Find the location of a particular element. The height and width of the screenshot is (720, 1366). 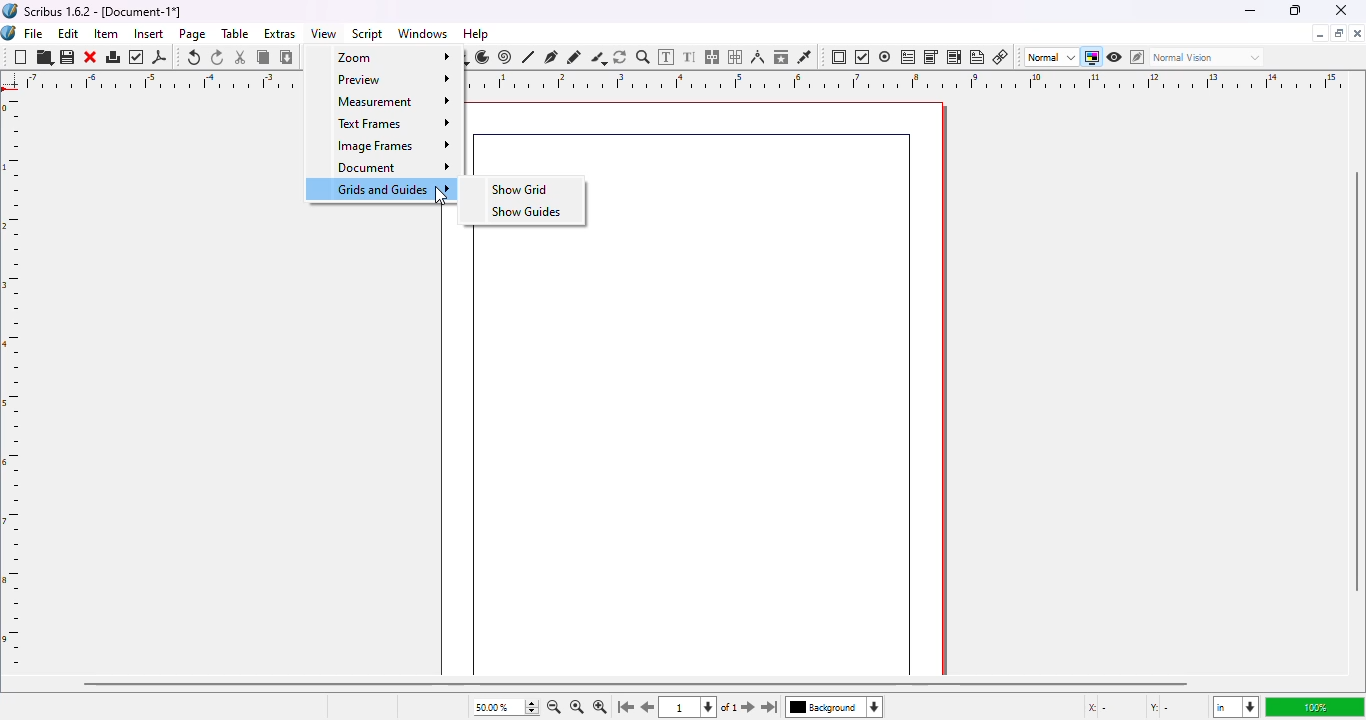

zoom is located at coordinates (384, 55).